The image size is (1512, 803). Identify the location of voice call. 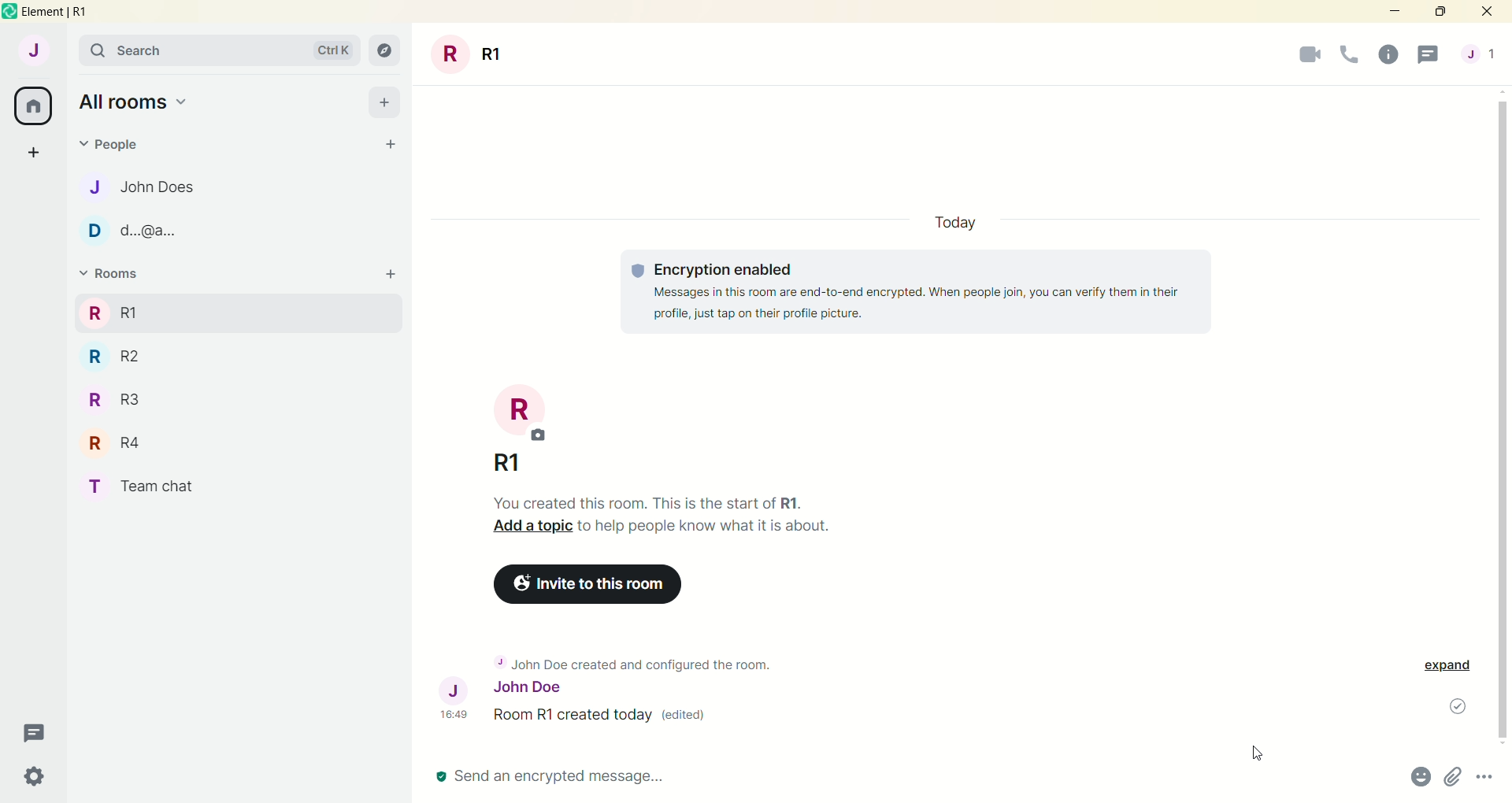
(1350, 55).